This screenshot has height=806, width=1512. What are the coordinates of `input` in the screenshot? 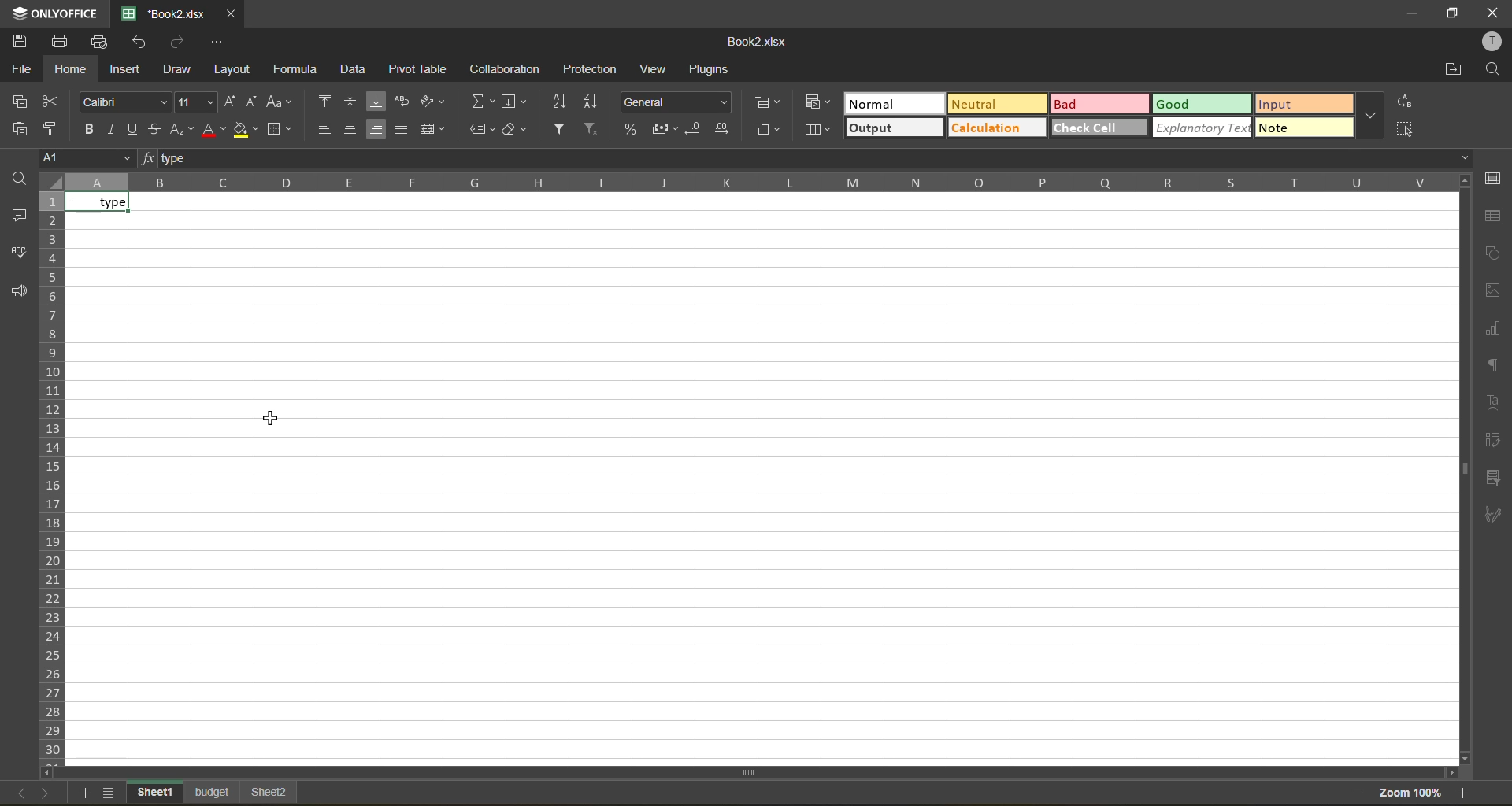 It's located at (1306, 105).